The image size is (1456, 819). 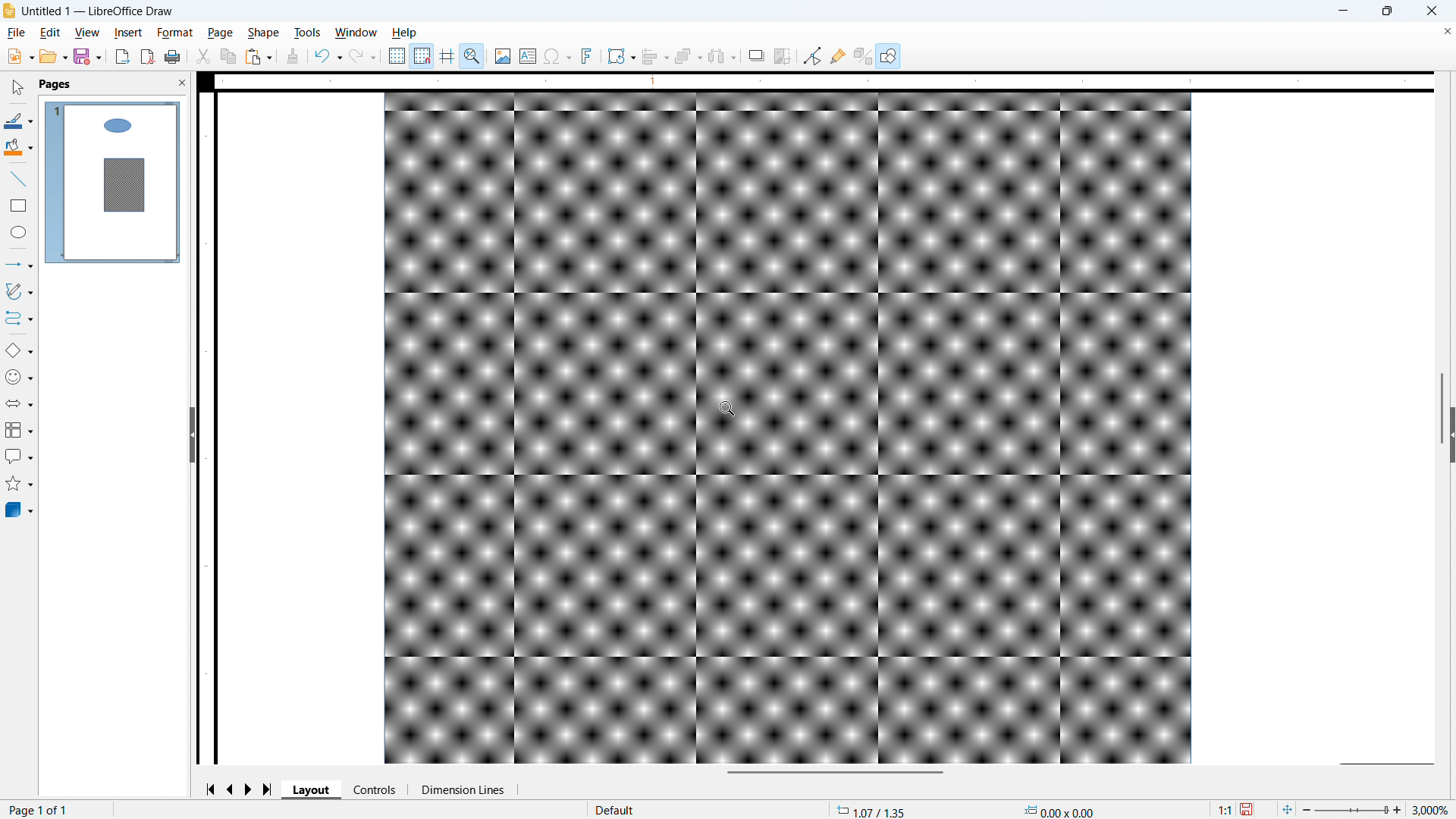 What do you see at coordinates (463, 789) in the screenshot?
I see `Dimension lines ` at bounding box center [463, 789].